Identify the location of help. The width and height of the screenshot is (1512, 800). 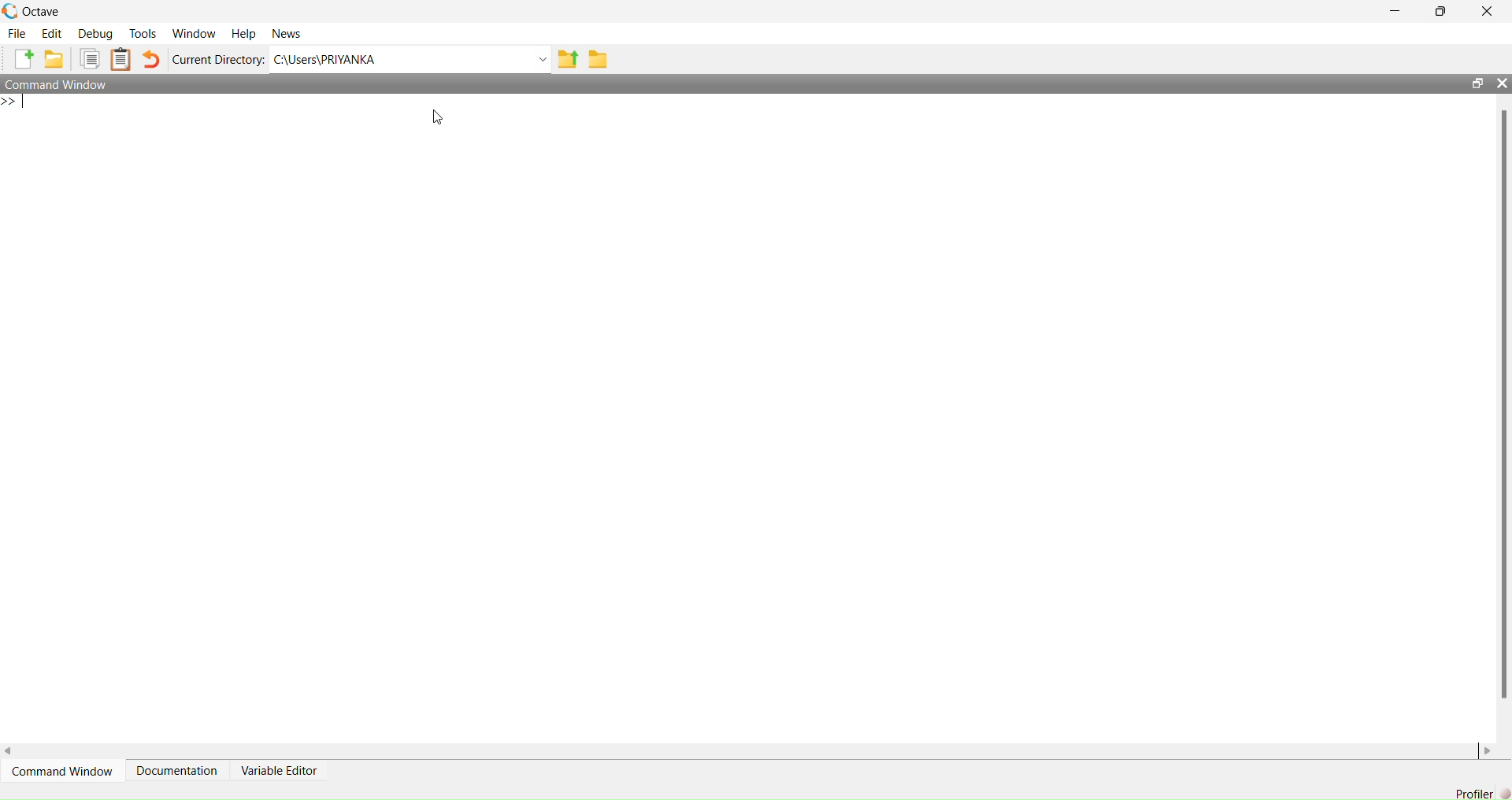
(244, 35).